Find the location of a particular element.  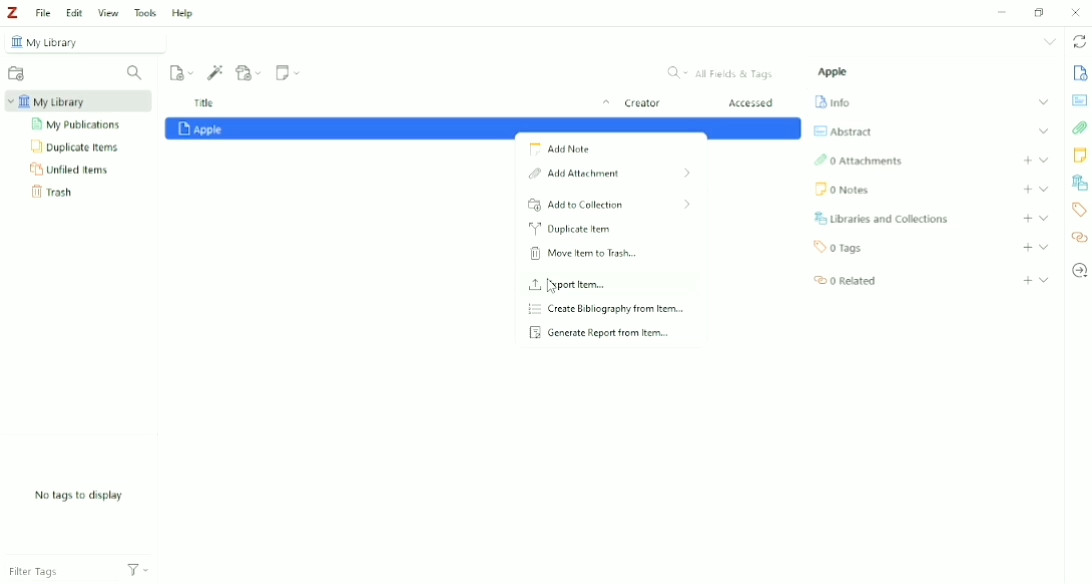

My Library is located at coordinates (81, 42).